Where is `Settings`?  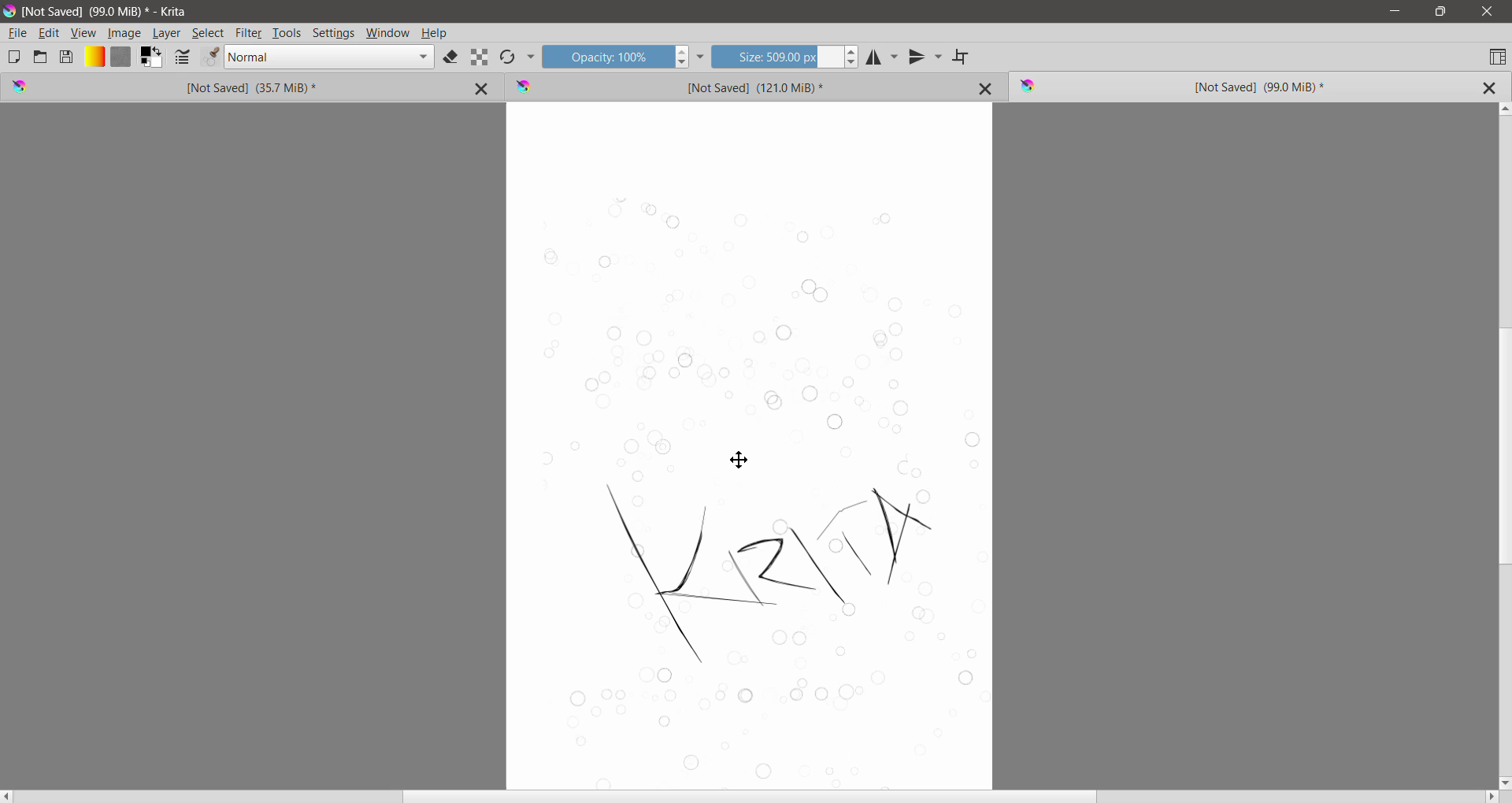
Settings is located at coordinates (334, 34).